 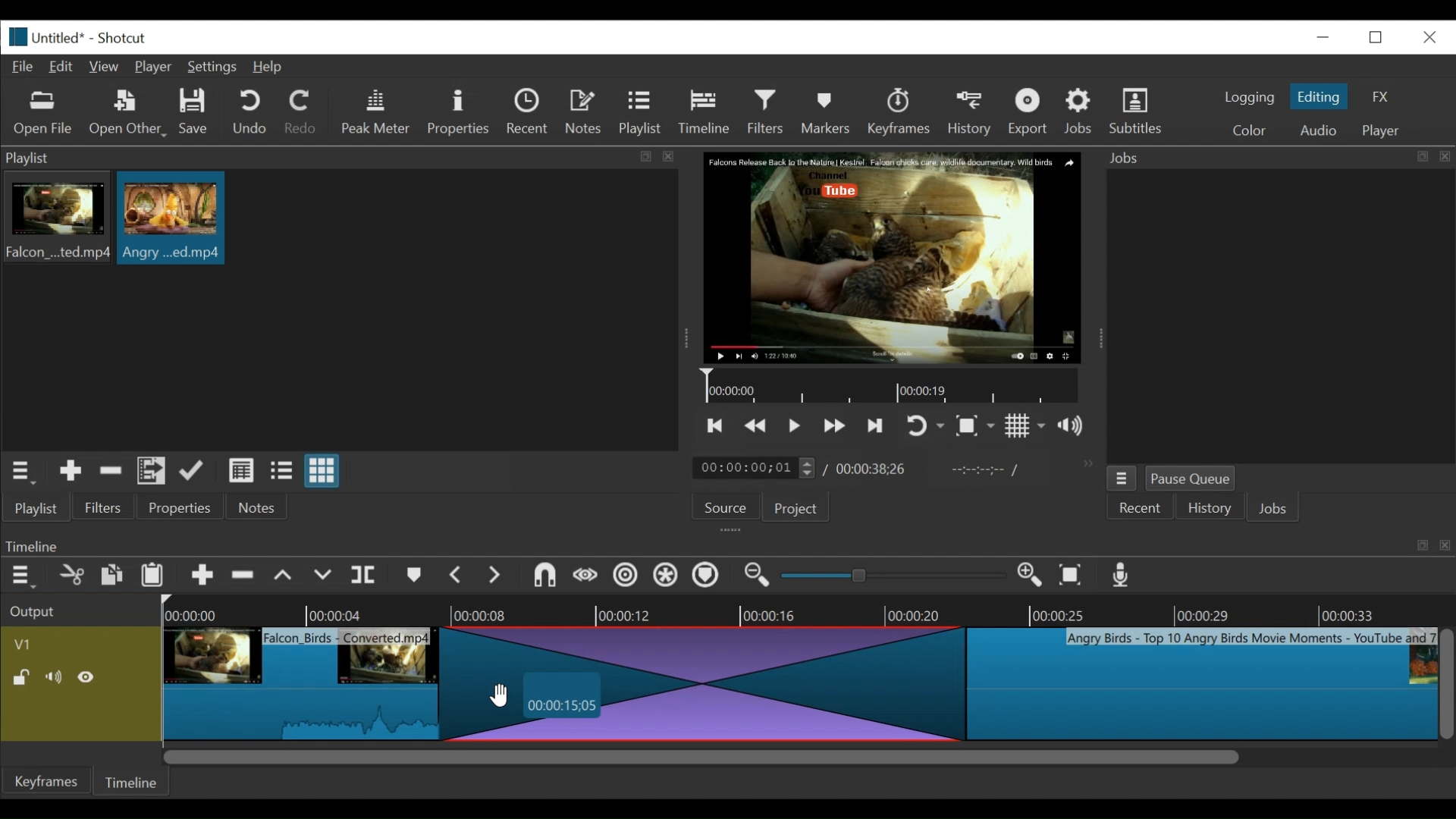 What do you see at coordinates (1280, 315) in the screenshot?
I see `jobs panel` at bounding box center [1280, 315].